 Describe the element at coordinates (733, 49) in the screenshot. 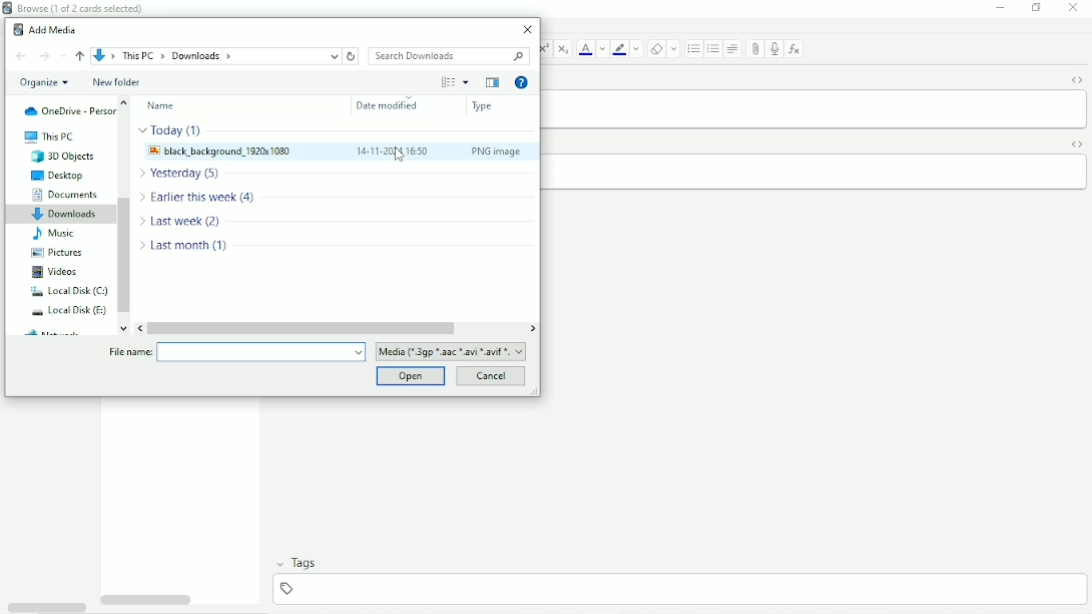

I see `Alignment` at that location.